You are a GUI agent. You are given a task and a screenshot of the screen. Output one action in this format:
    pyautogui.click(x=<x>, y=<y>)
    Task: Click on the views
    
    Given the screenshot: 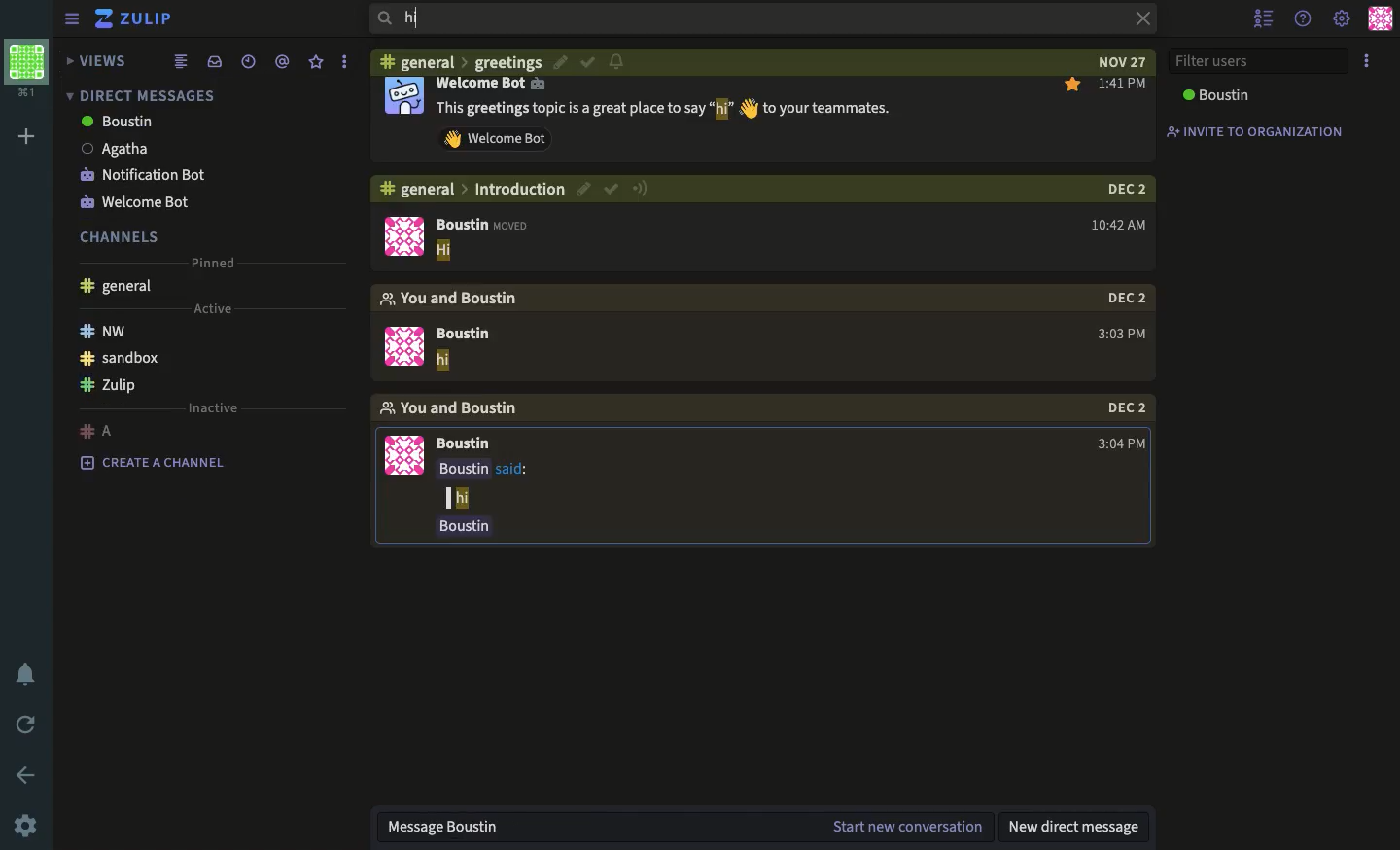 What is the action you would take?
    pyautogui.click(x=97, y=62)
    